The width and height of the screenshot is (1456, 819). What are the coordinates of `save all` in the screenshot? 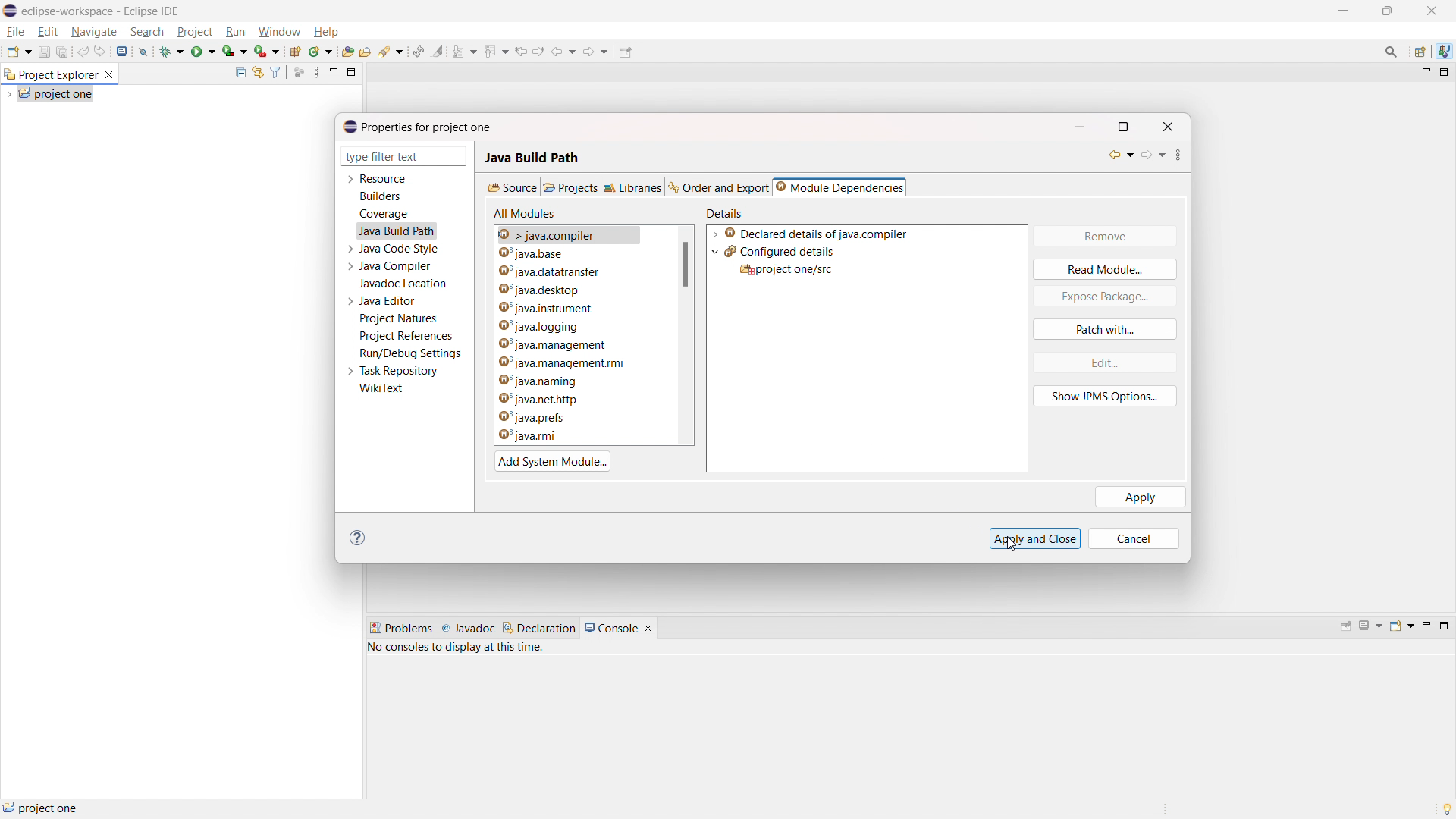 It's located at (63, 52).